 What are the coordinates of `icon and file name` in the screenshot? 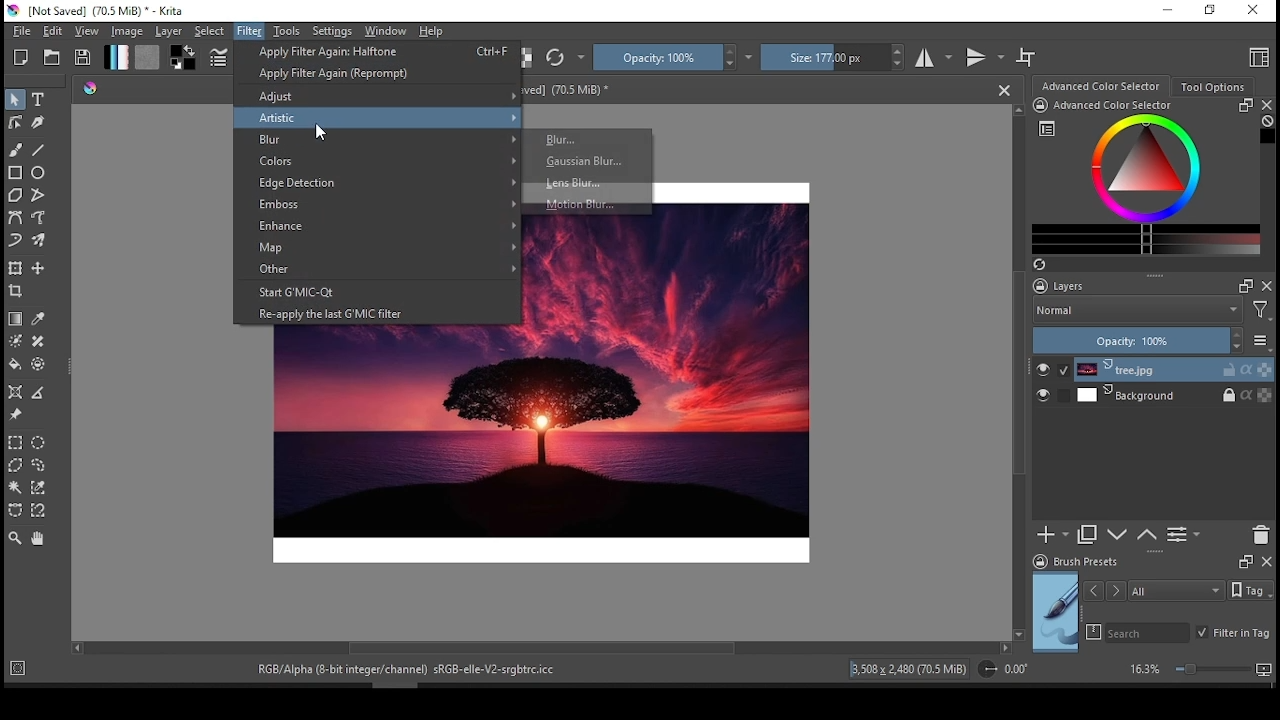 It's located at (112, 11).